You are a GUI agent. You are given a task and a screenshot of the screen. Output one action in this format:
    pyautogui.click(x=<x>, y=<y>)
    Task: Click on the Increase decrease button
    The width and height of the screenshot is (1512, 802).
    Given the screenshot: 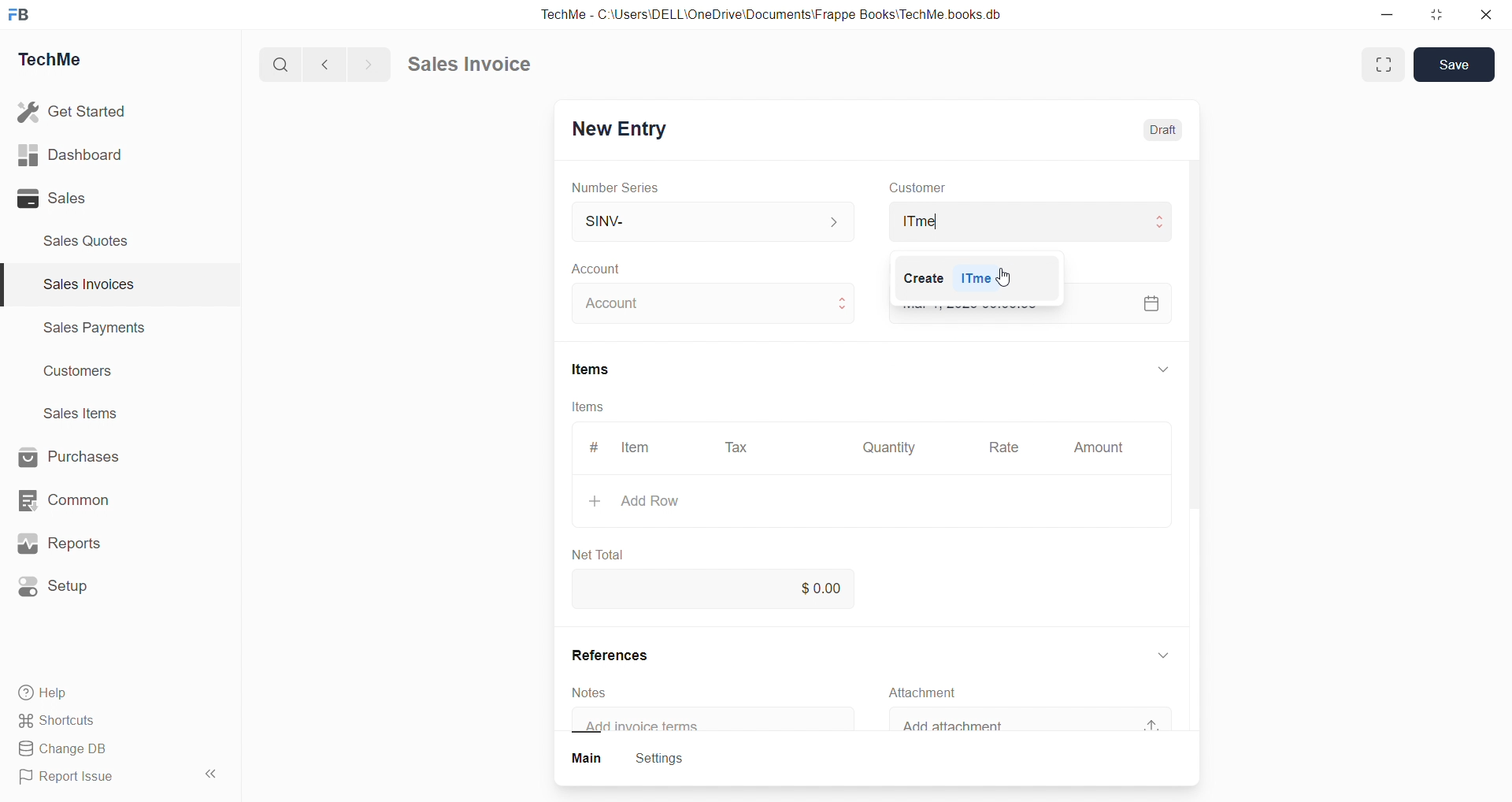 What is the action you would take?
    pyautogui.click(x=844, y=304)
    